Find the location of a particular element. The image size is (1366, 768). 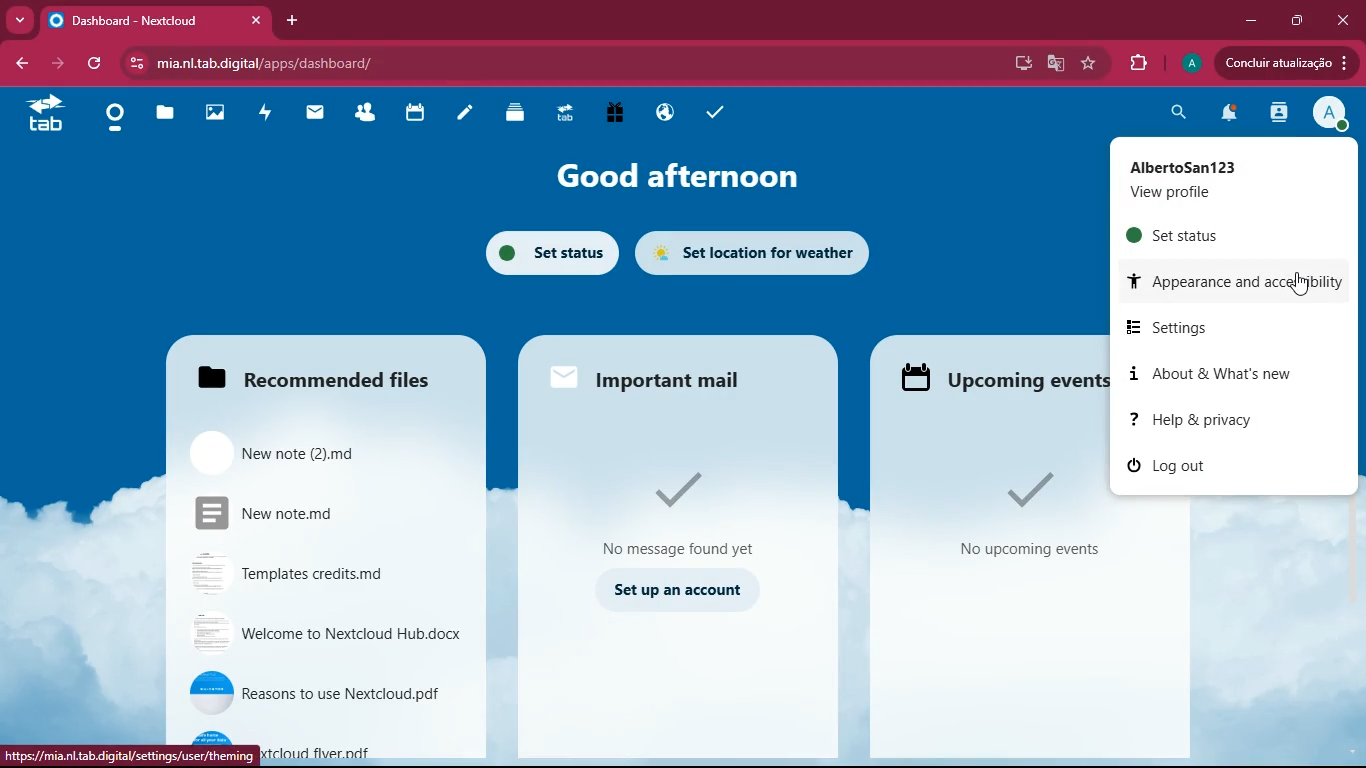

calendar is located at coordinates (421, 113).